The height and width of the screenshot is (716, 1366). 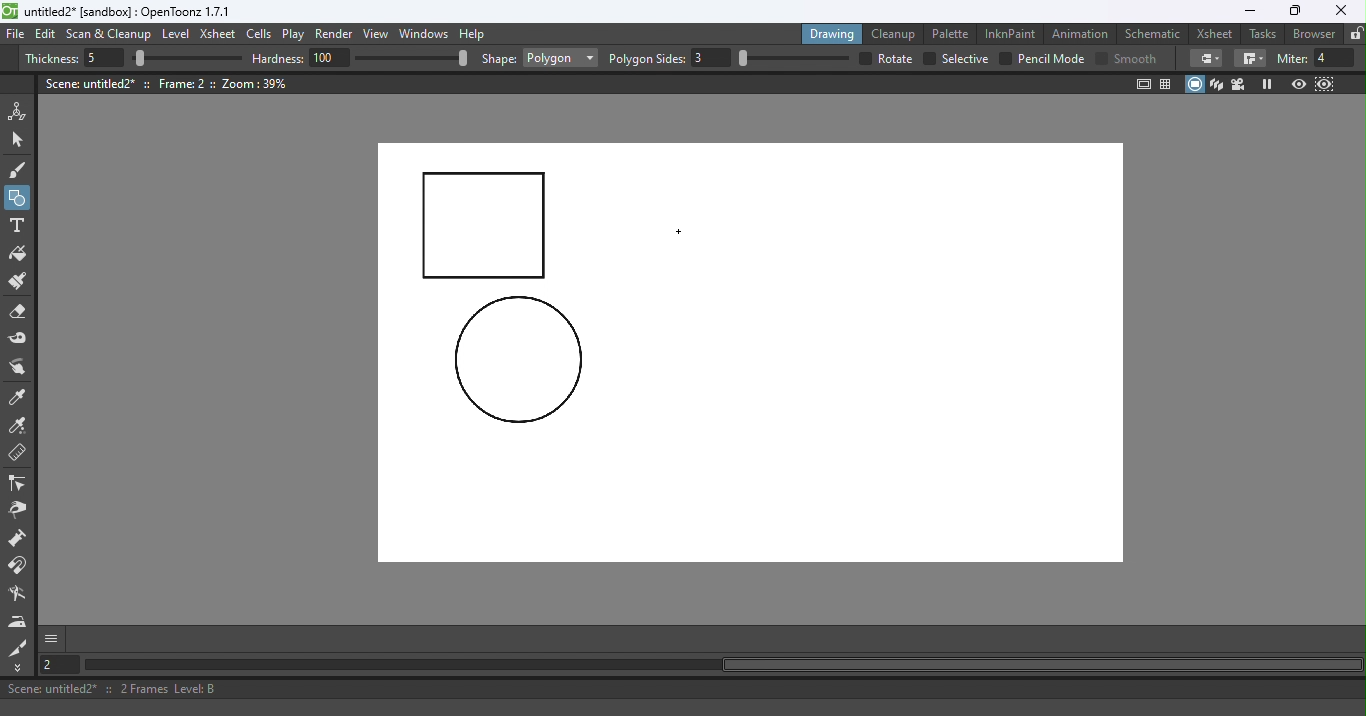 I want to click on Canvas details, so click(x=169, y=83).